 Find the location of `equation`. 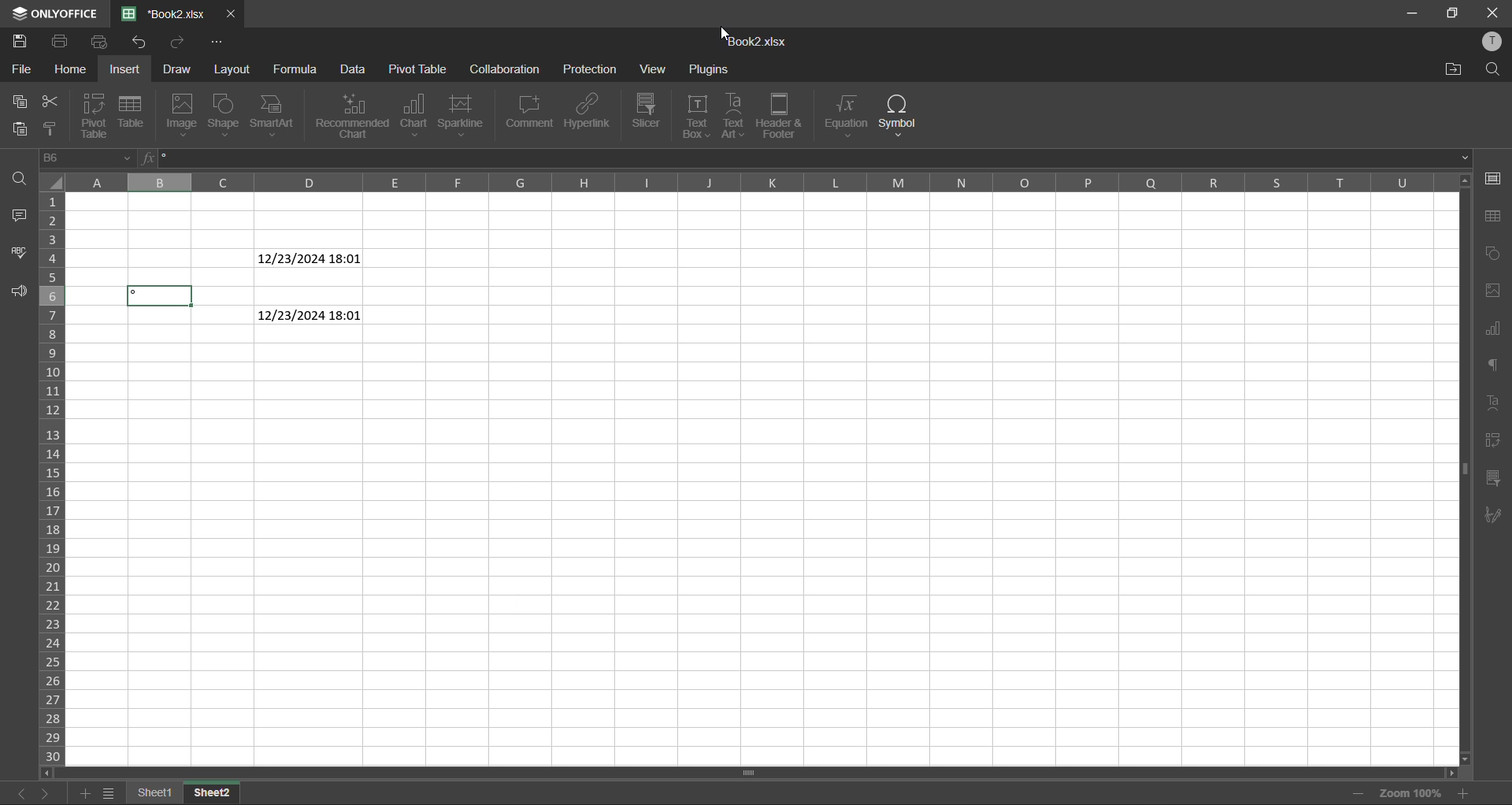

equation is located at coordinates (848, 116).